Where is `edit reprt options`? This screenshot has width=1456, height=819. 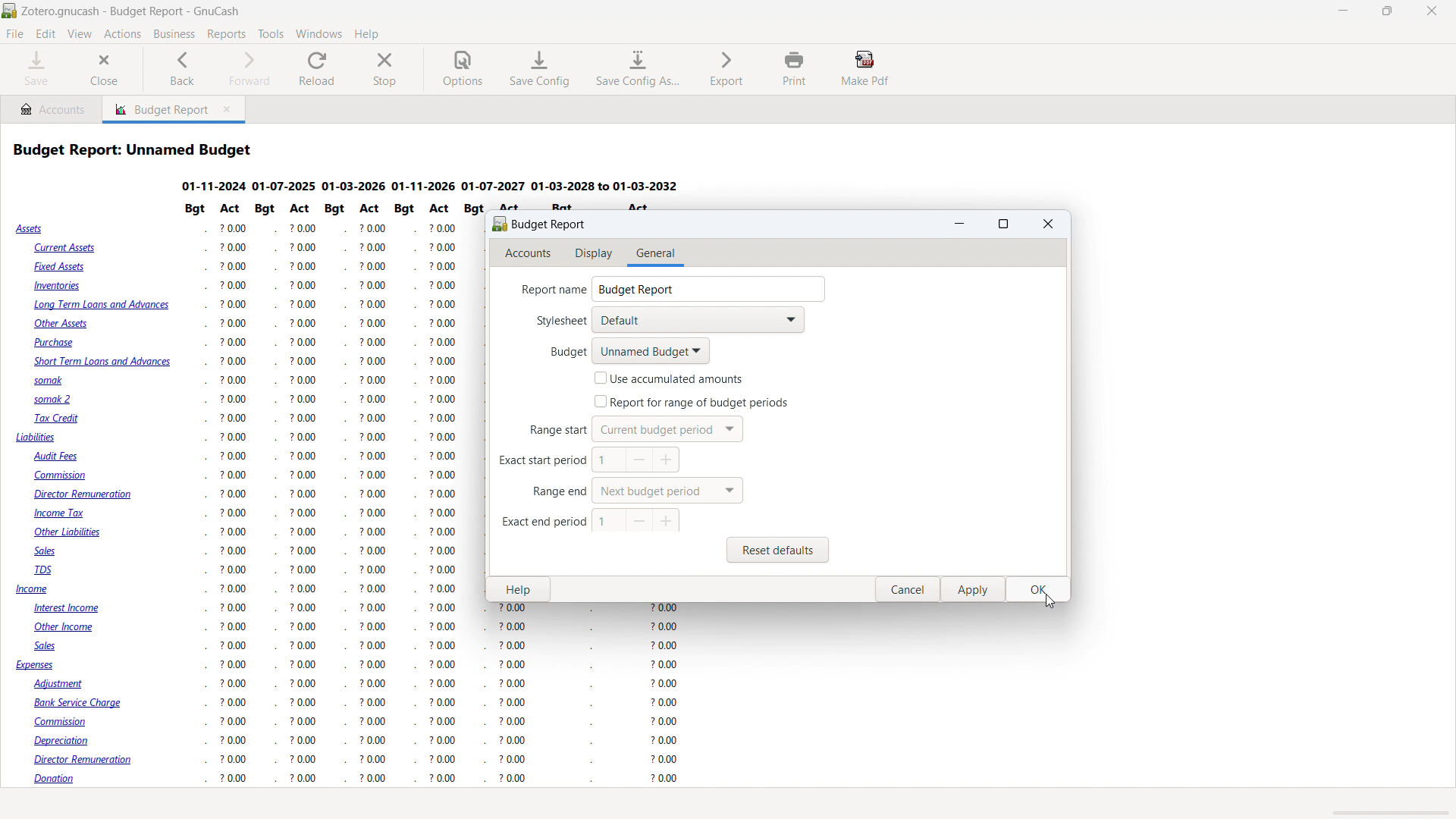 edit reprt options is located at coordinates (67, 805).